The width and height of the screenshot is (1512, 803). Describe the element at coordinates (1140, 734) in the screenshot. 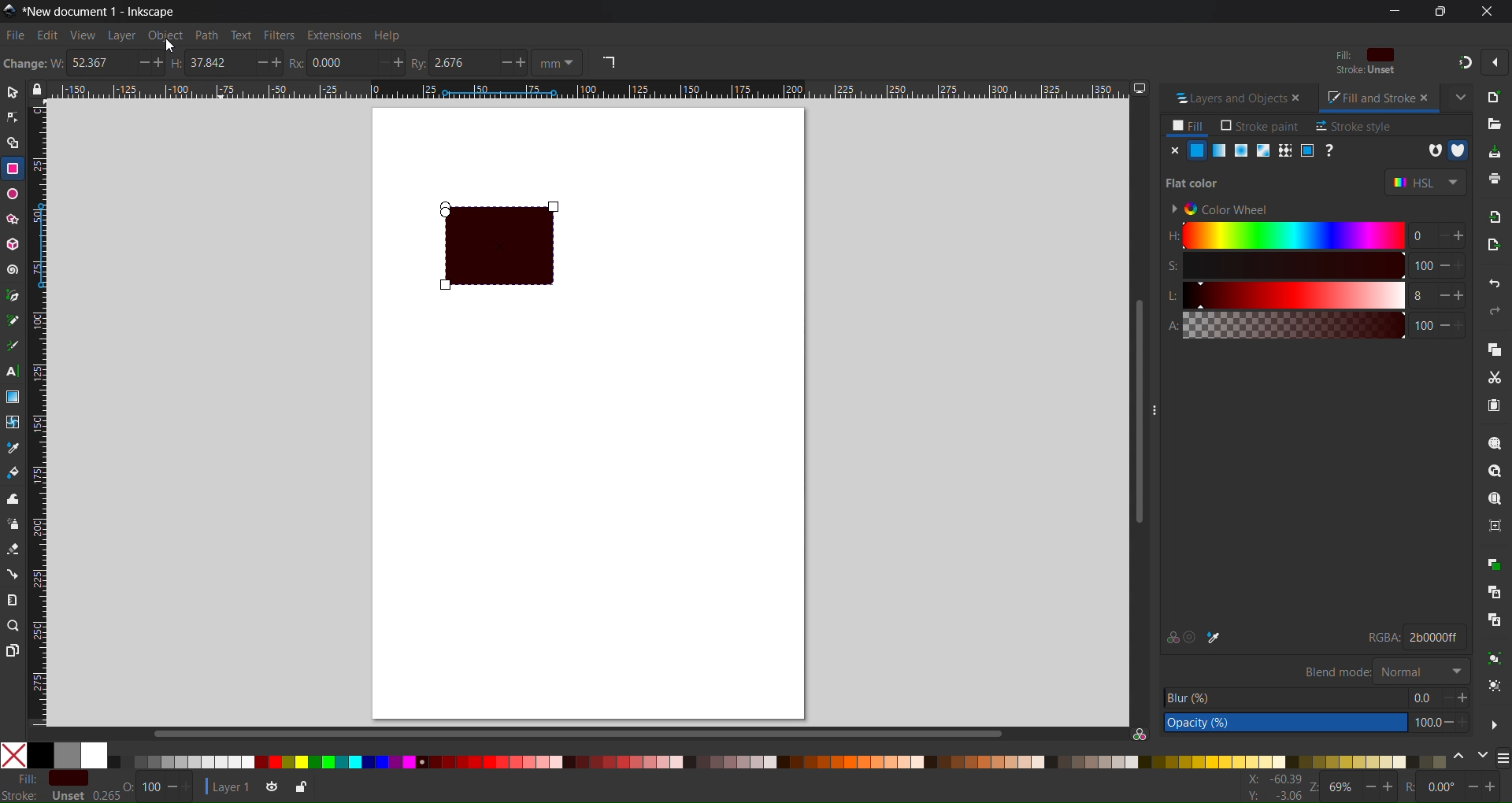

I see `Color managed mode` at that location.